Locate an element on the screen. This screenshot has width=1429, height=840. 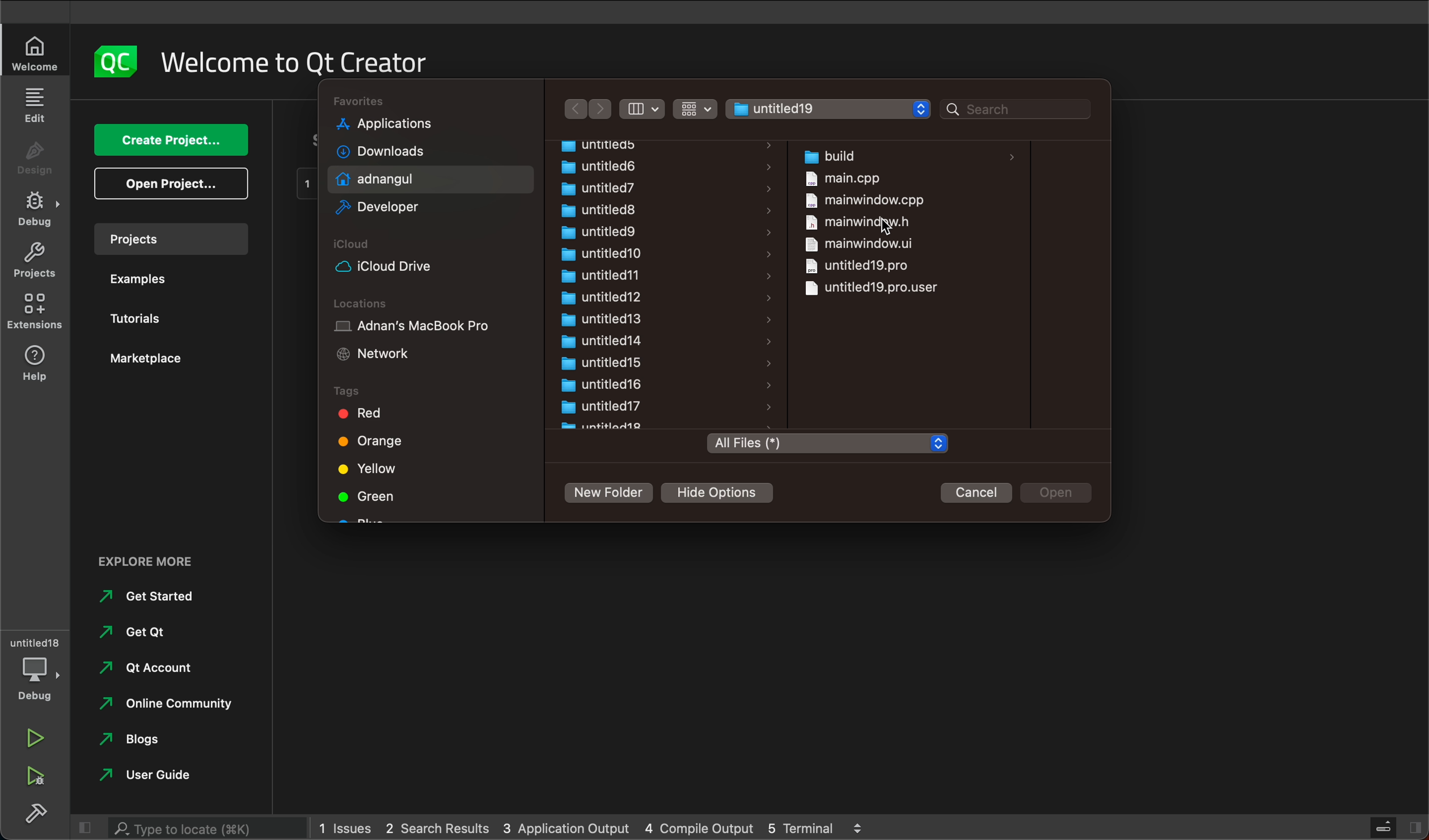
blogs is located at coordinates (141, 738).